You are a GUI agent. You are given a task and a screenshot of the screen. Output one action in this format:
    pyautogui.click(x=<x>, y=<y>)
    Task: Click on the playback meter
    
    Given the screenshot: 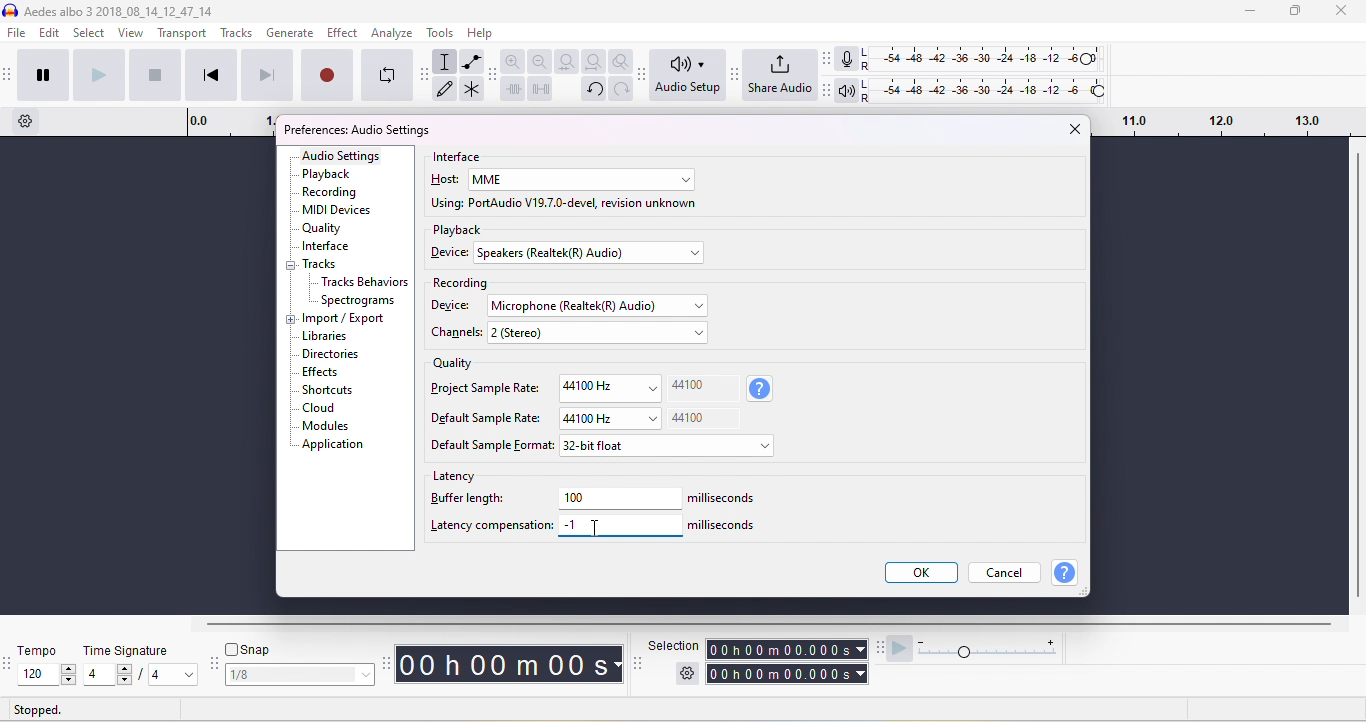 What is the action you would take?
    pyautogui.click(x=849, y=91)
    